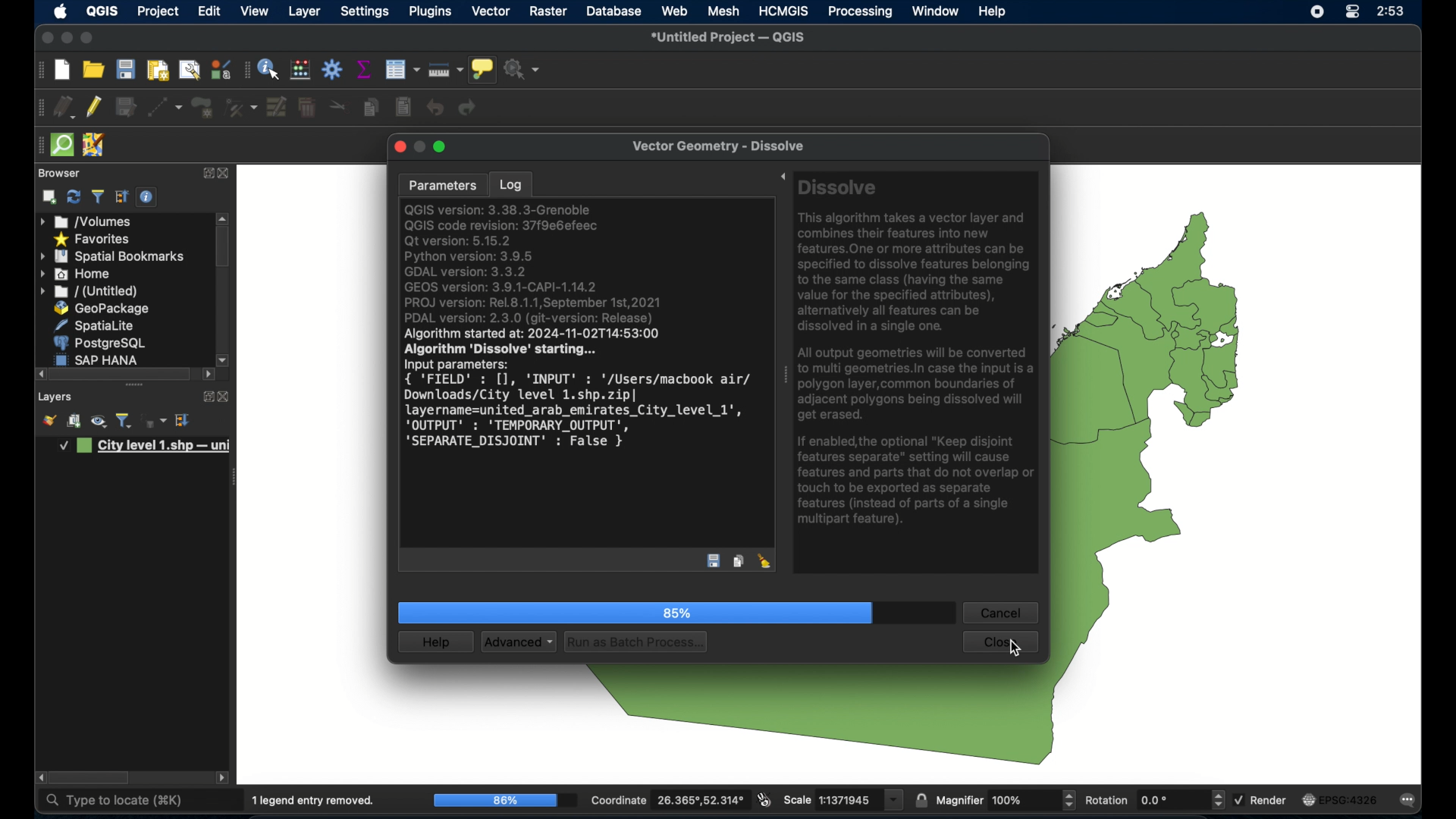  I want to click on expand all, so click(122, 197).